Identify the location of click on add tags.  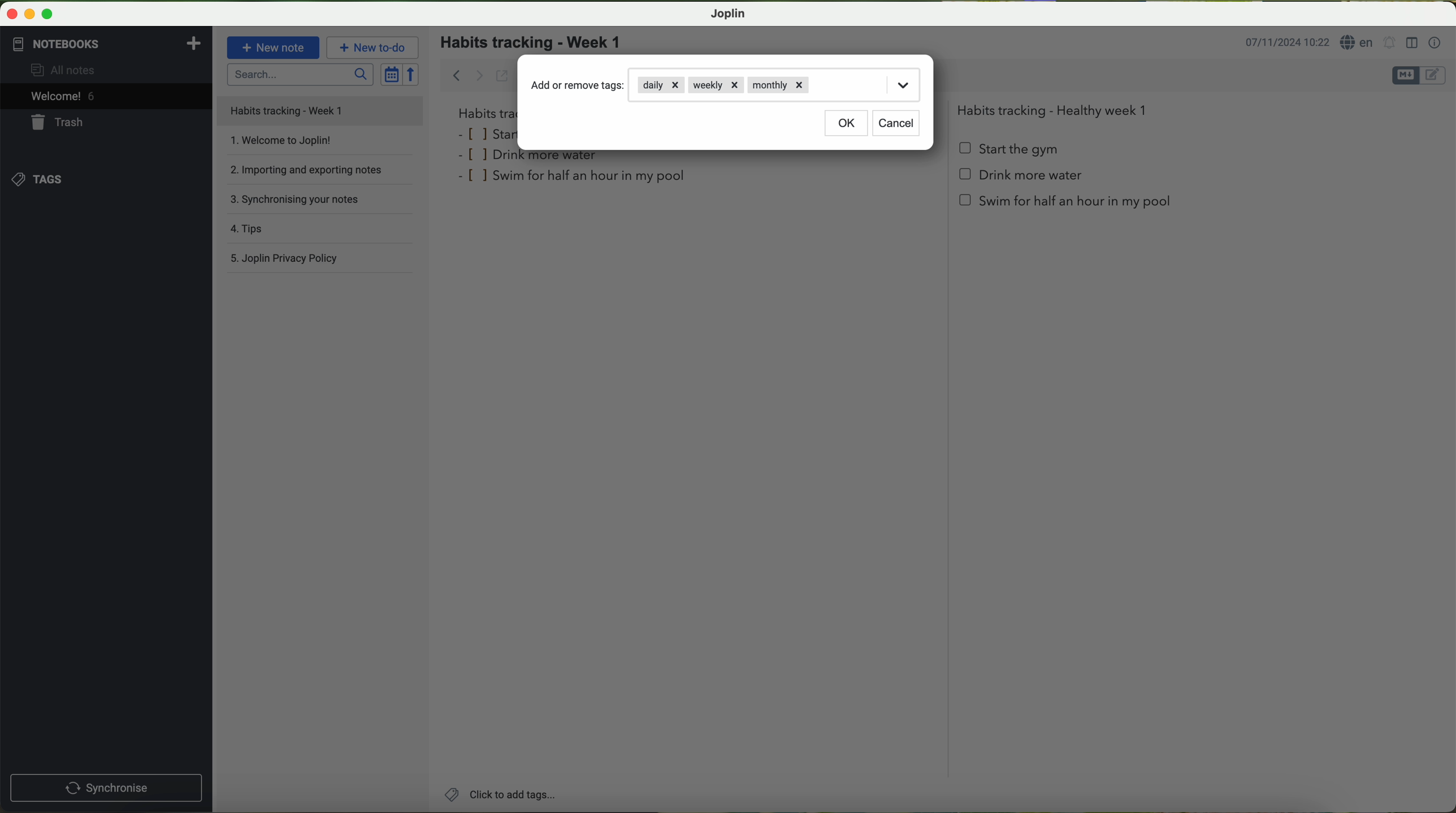
(498, 793).